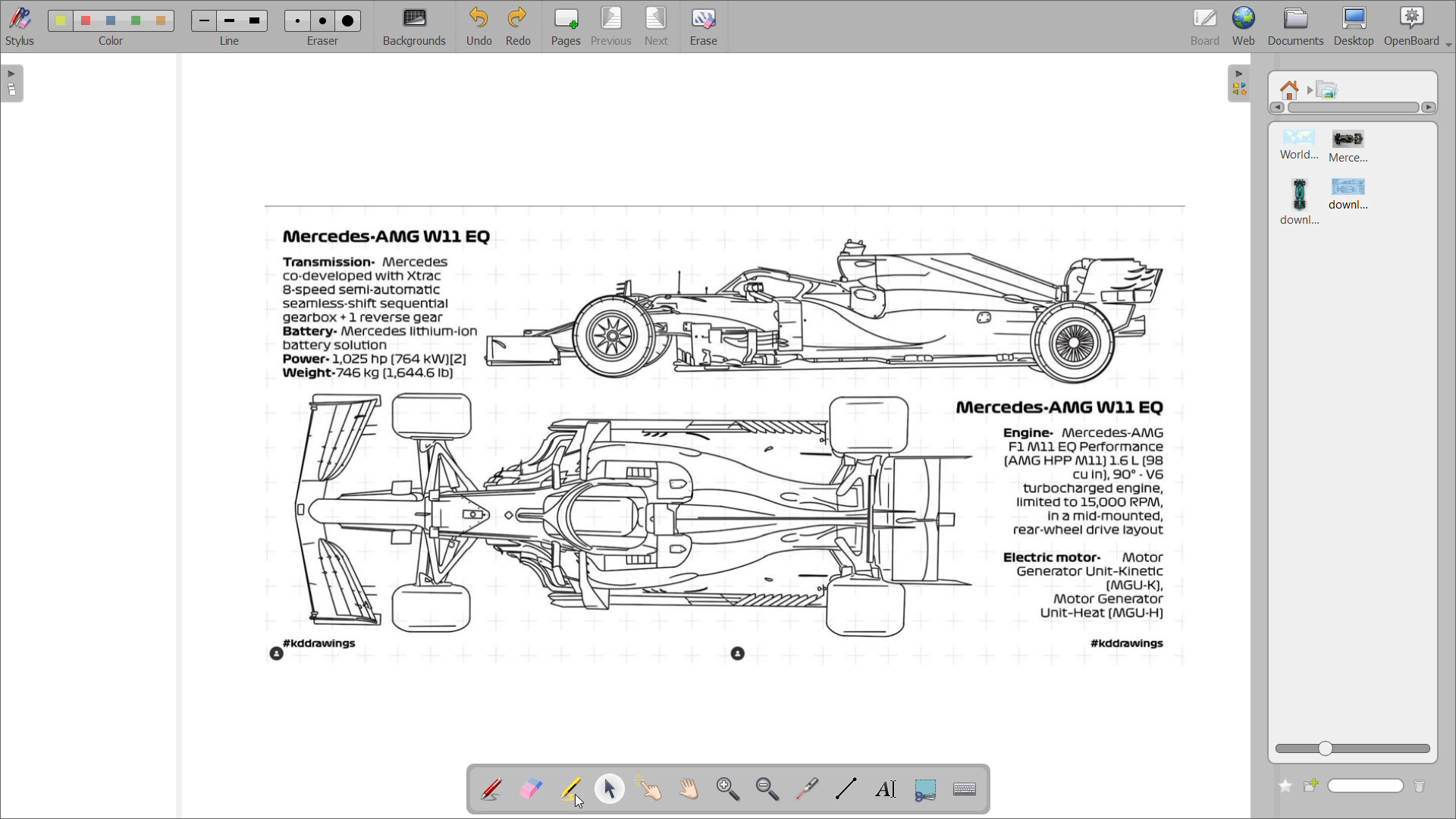 The width and height of the screenshot is (1456, 819). I want to click on previous, so click(613, 26).